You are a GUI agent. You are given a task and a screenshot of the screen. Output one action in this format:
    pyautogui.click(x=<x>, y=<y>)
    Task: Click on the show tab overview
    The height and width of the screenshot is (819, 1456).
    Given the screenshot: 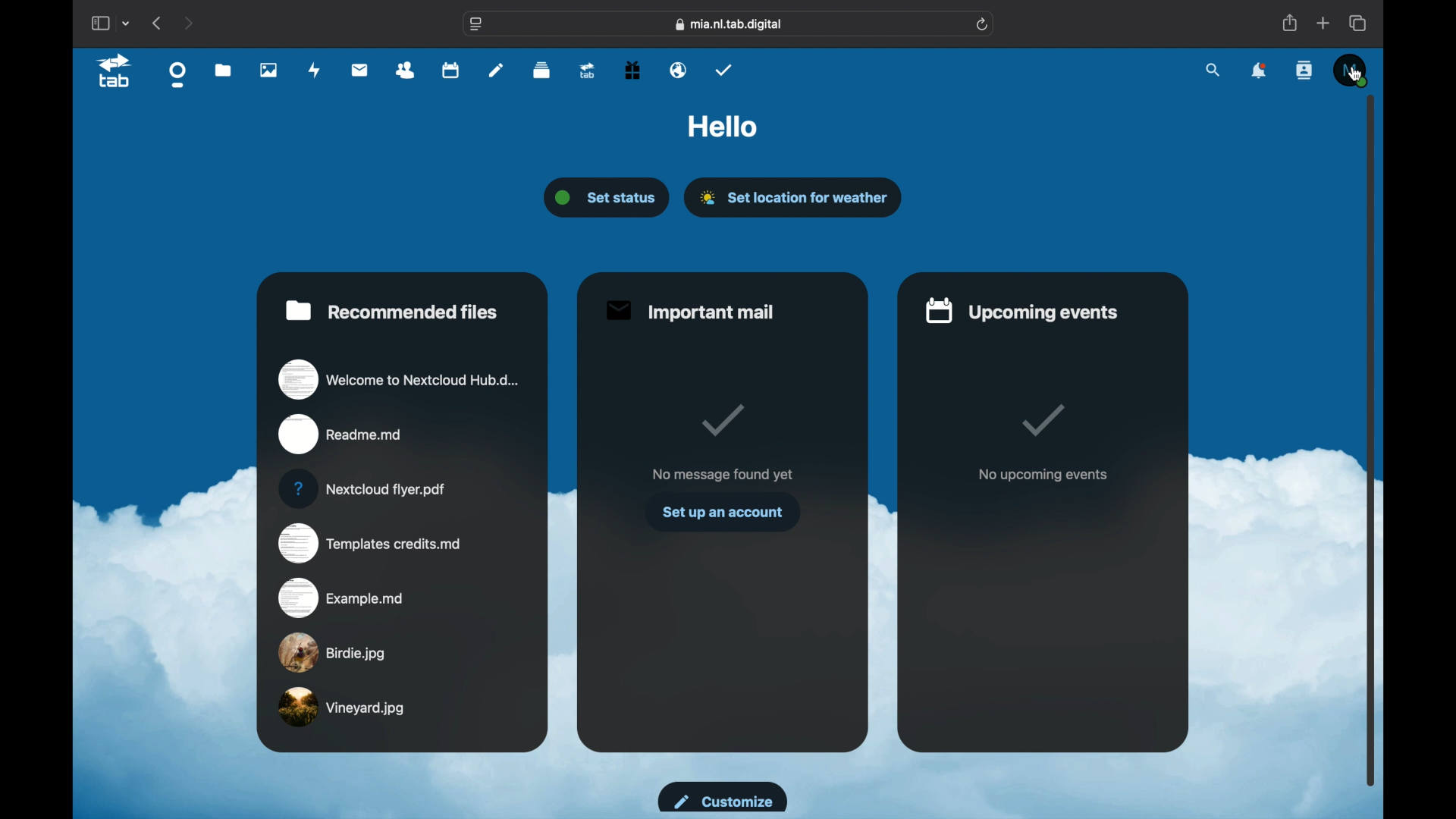 What is the action you would take?
    pyautogui.click(x=1359, y=23)
    